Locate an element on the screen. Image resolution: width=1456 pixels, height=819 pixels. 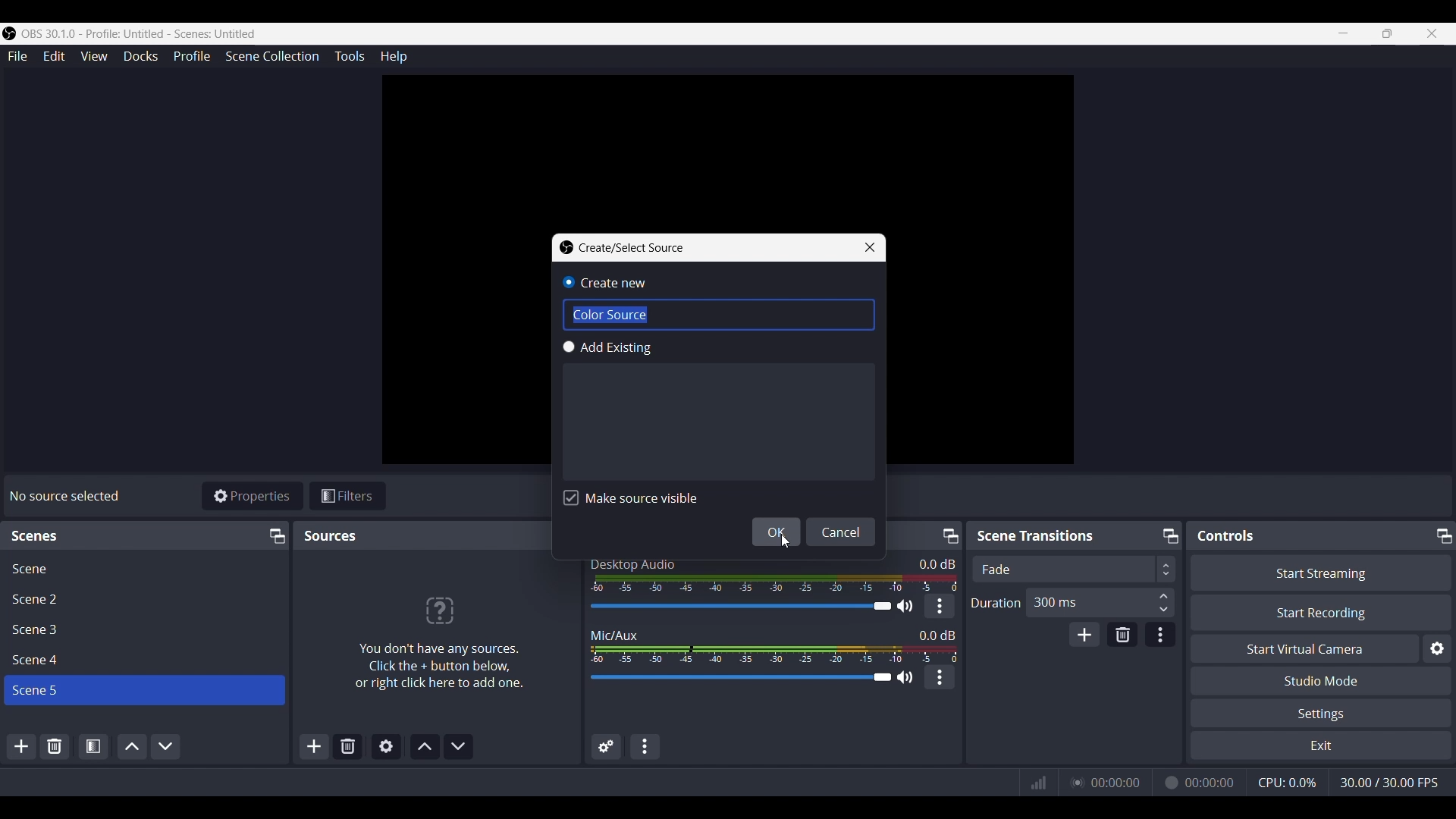
Filters is located at coordinates (350, 494).